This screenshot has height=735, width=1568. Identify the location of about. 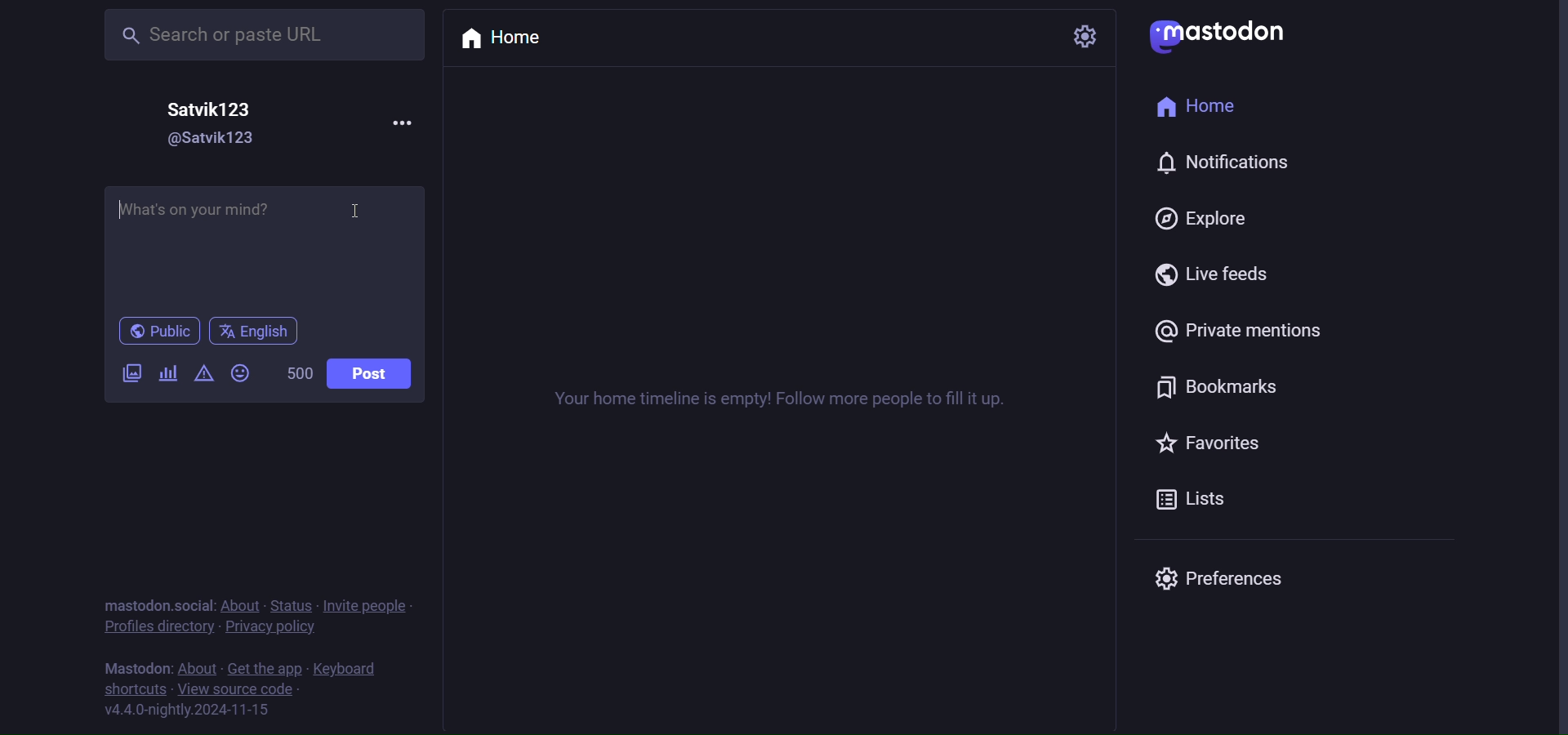
(198, 670).